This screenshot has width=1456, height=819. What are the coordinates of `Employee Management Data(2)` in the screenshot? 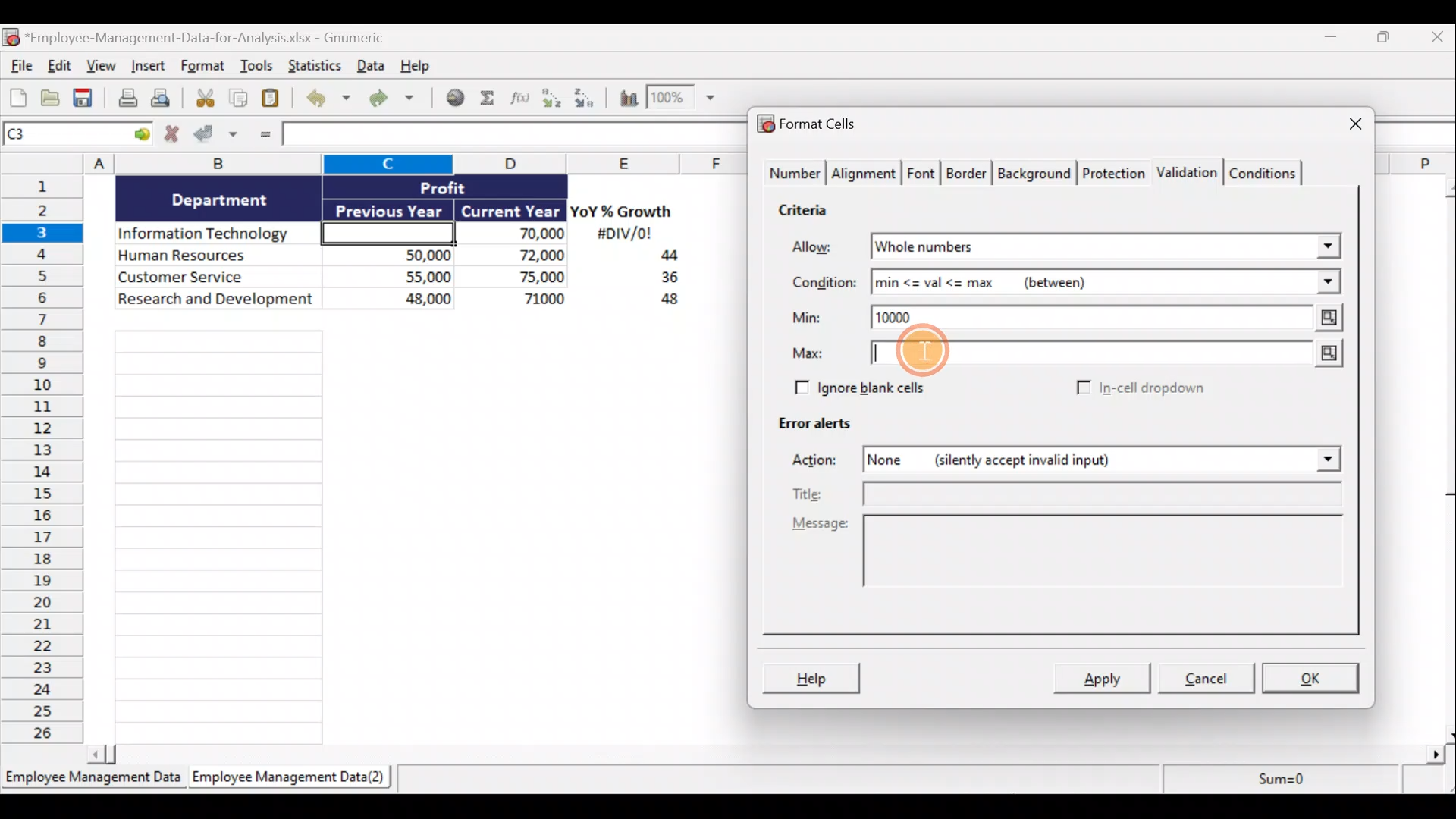 It's located at (286, 780).